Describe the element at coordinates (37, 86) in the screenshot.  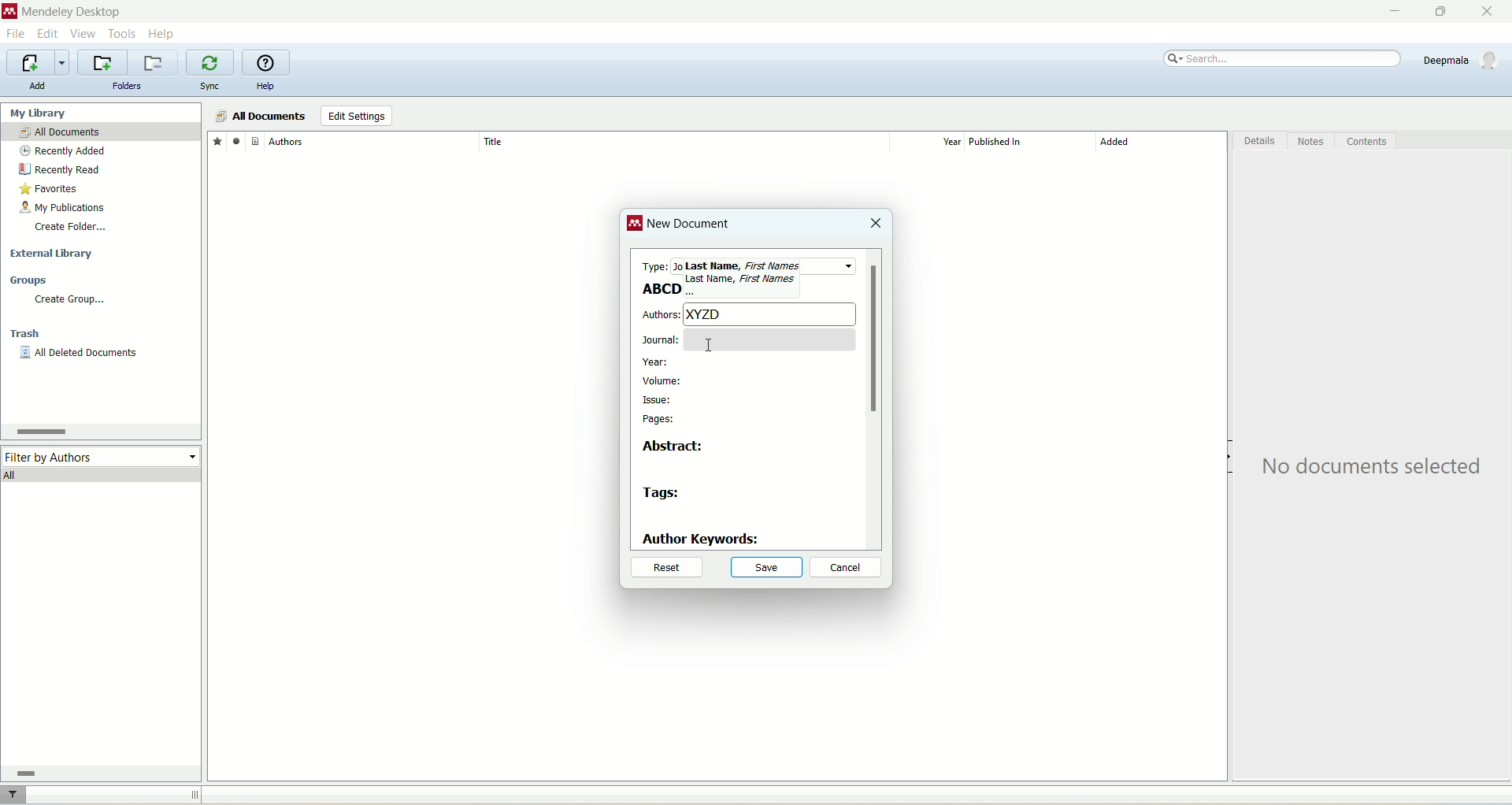
I see `add` at that location.